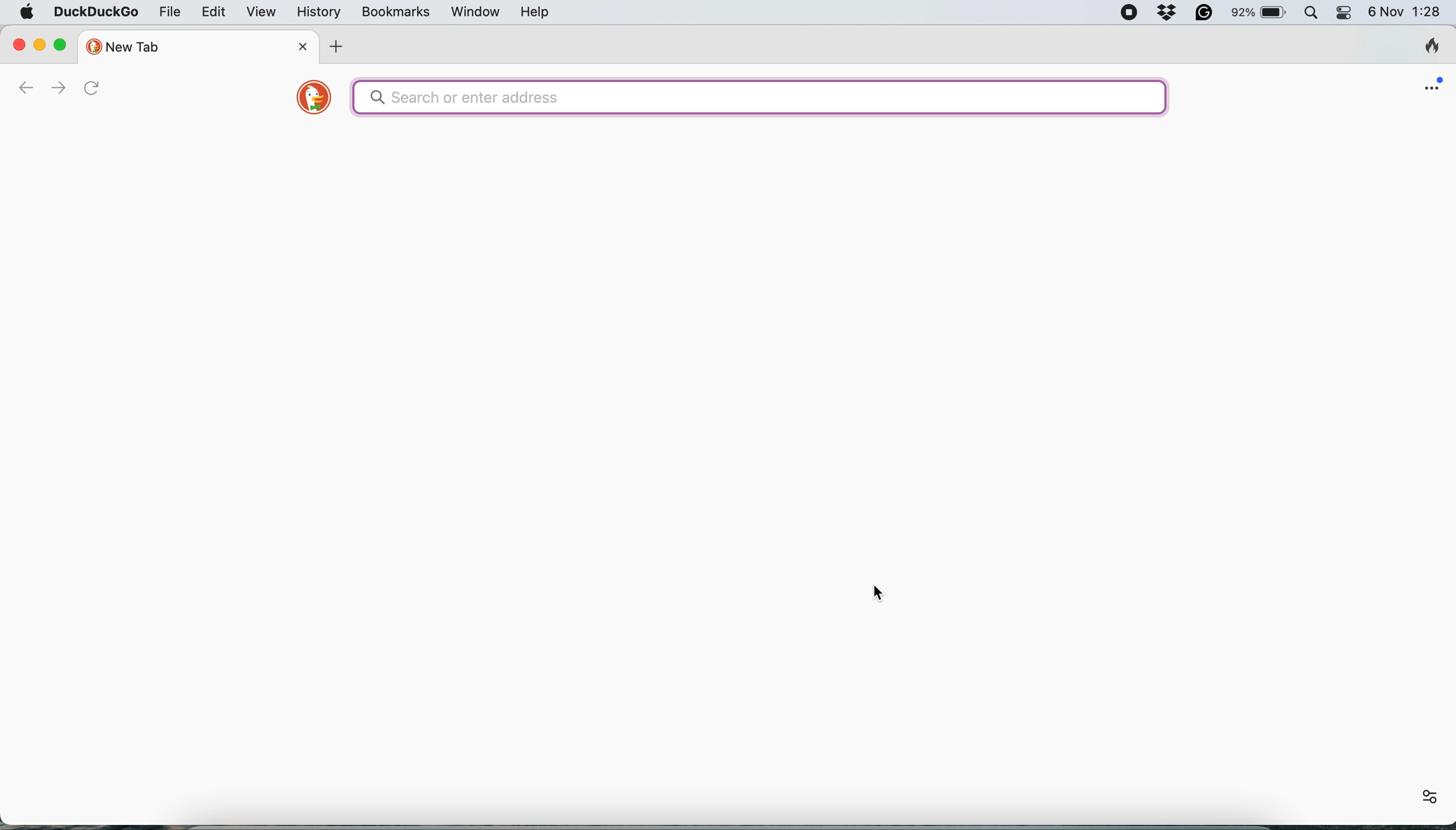 The width and height of the screenshot is (1456, 830). I want to click on file, so click(167, 13).